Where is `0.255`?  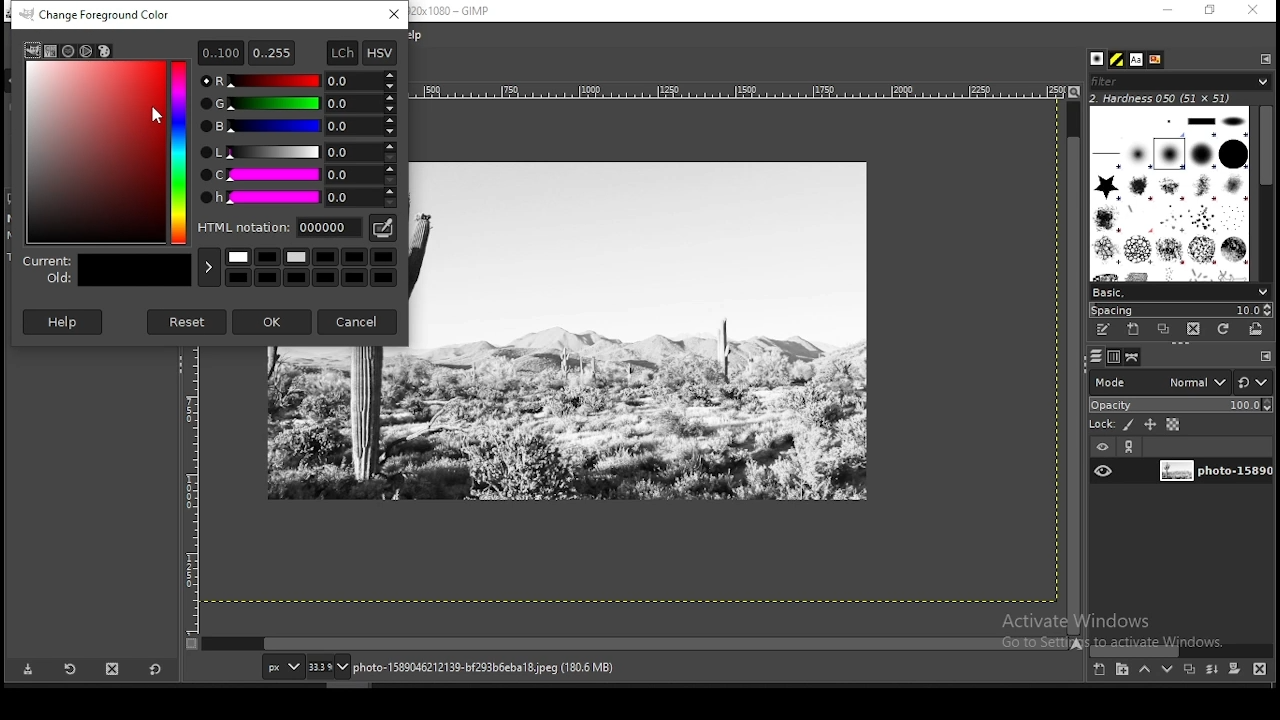 0.255 is located at coordinates (273, 52).